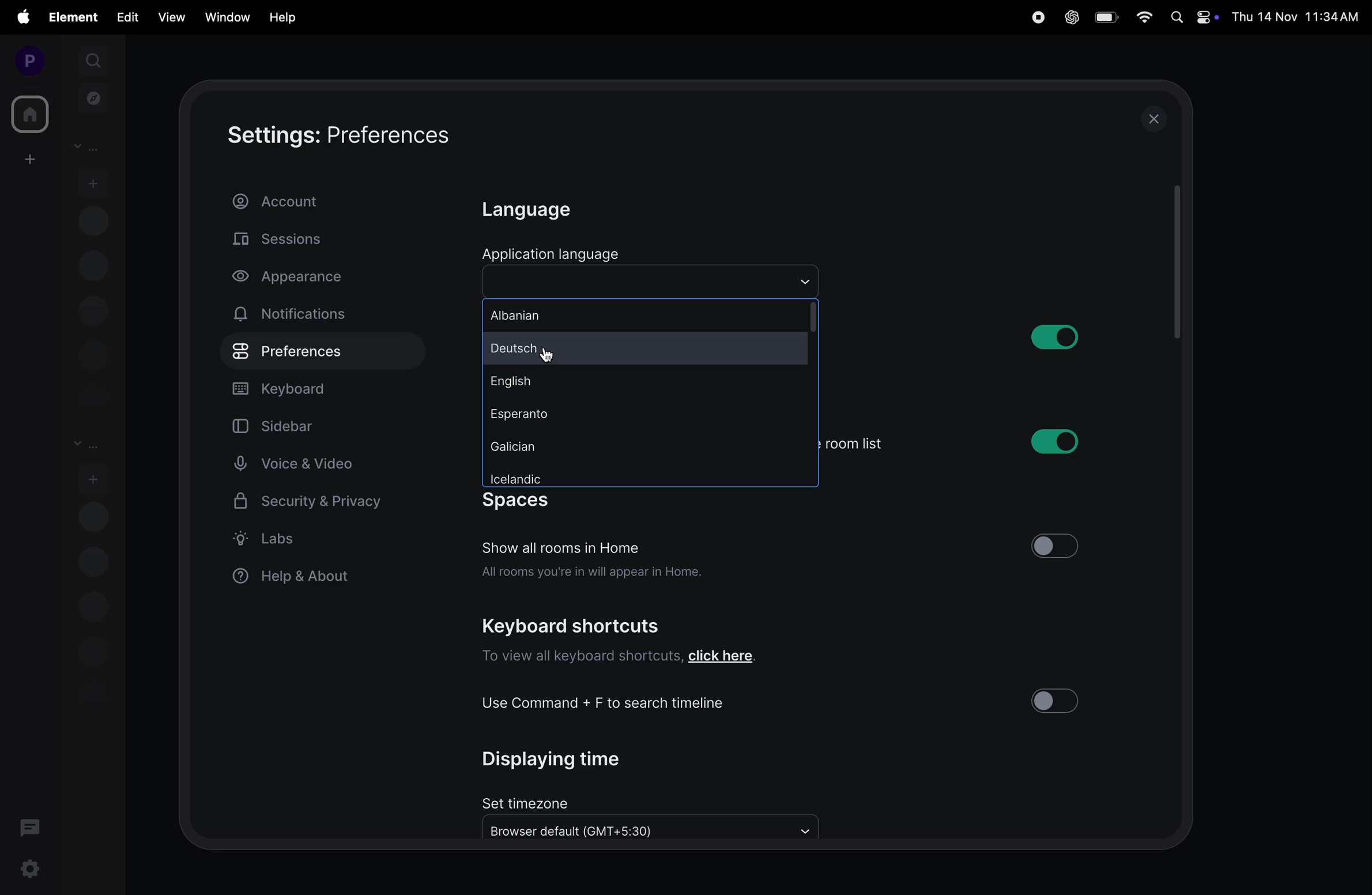 The height and width of the screenshot is (895, 1372). I want to click on apple widgets, so click(1190, 17).